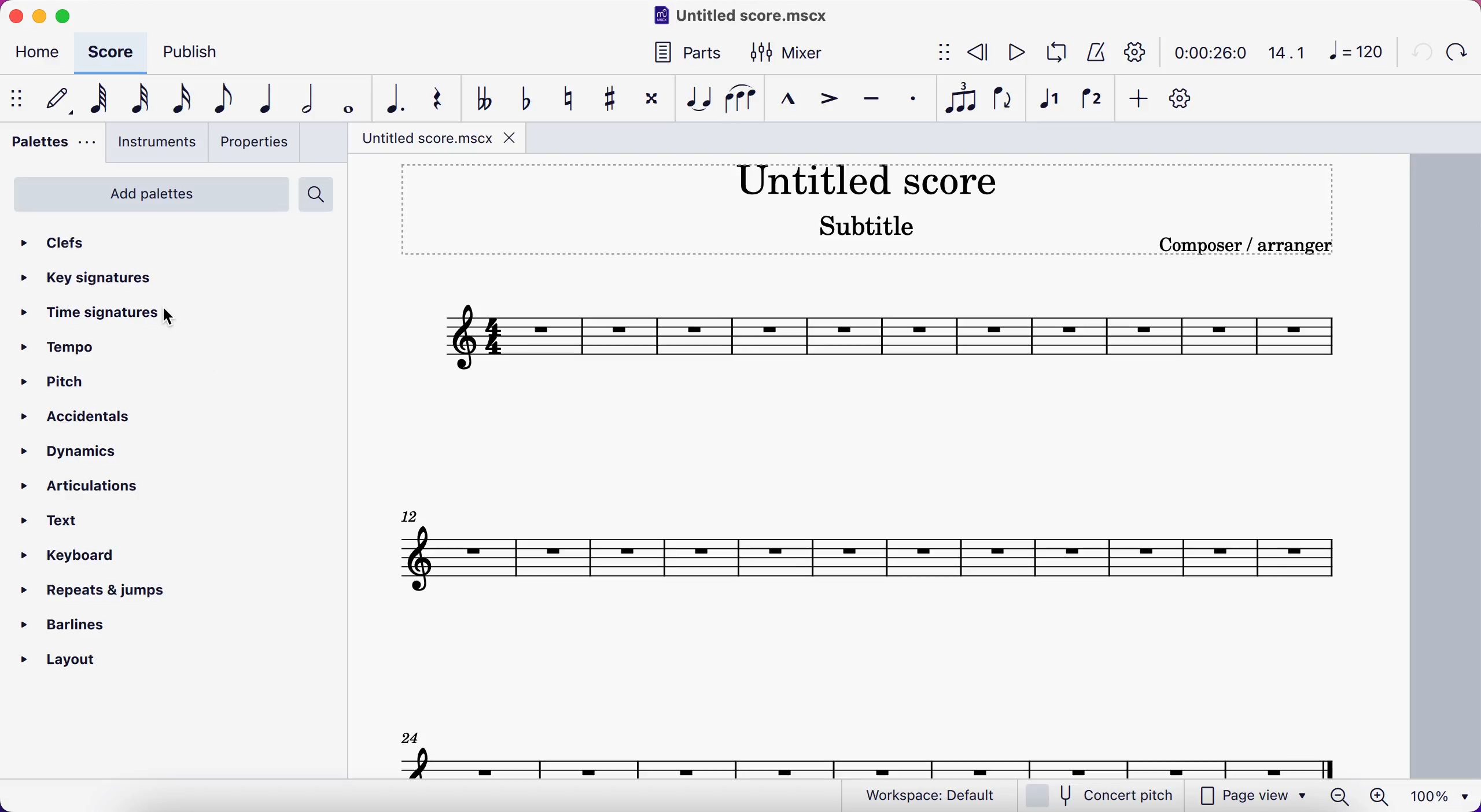 This screenshot has width=1481, height=812. What do you see at coordinates (911, 100) in the screenshot?
I see `staccato` at bounding box center [911, 100].